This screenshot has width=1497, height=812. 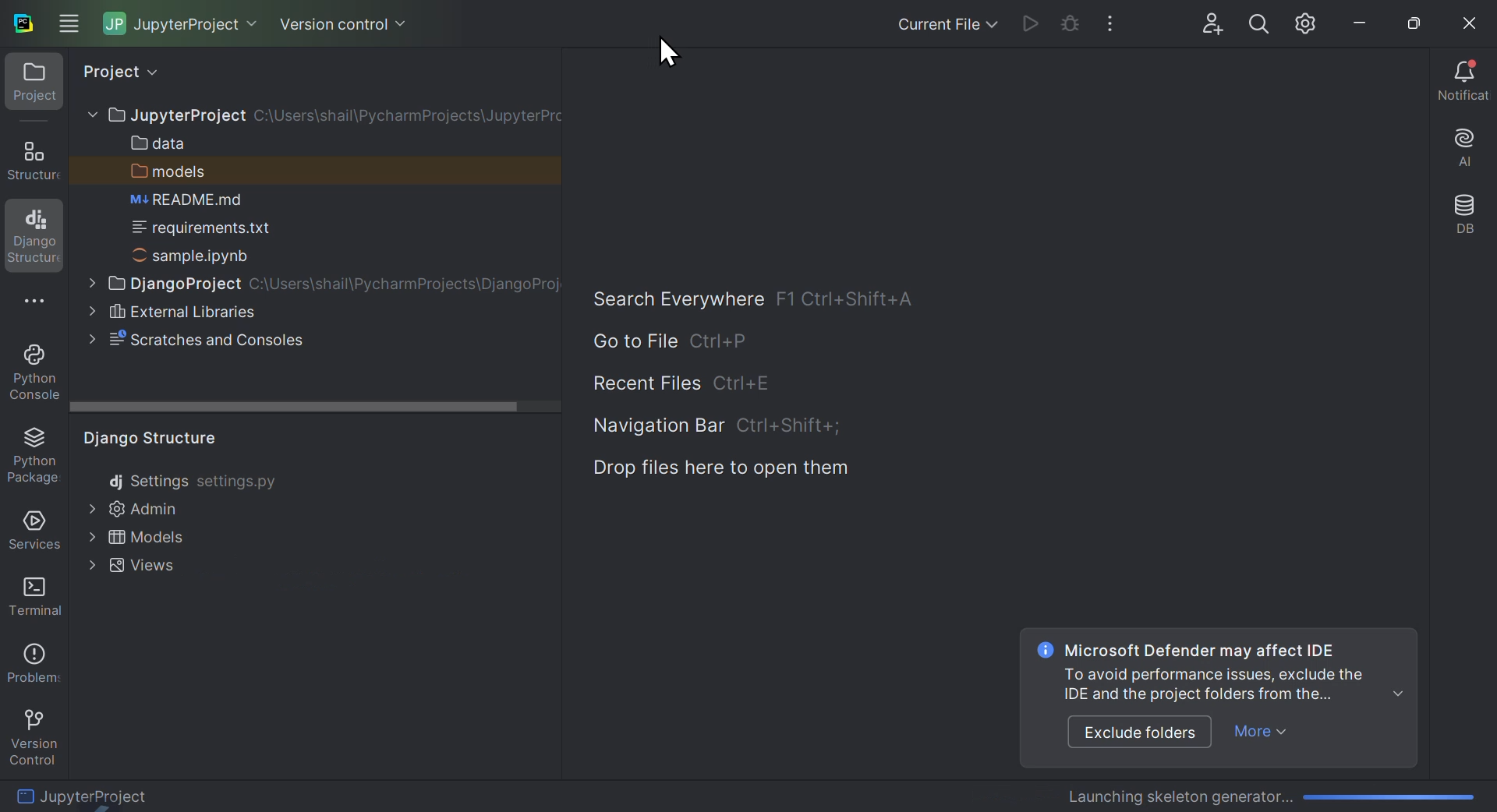 What do you see at coordinates (918, 23) in the screenshot?
I see `Current File` at bounding box center [918, 23].